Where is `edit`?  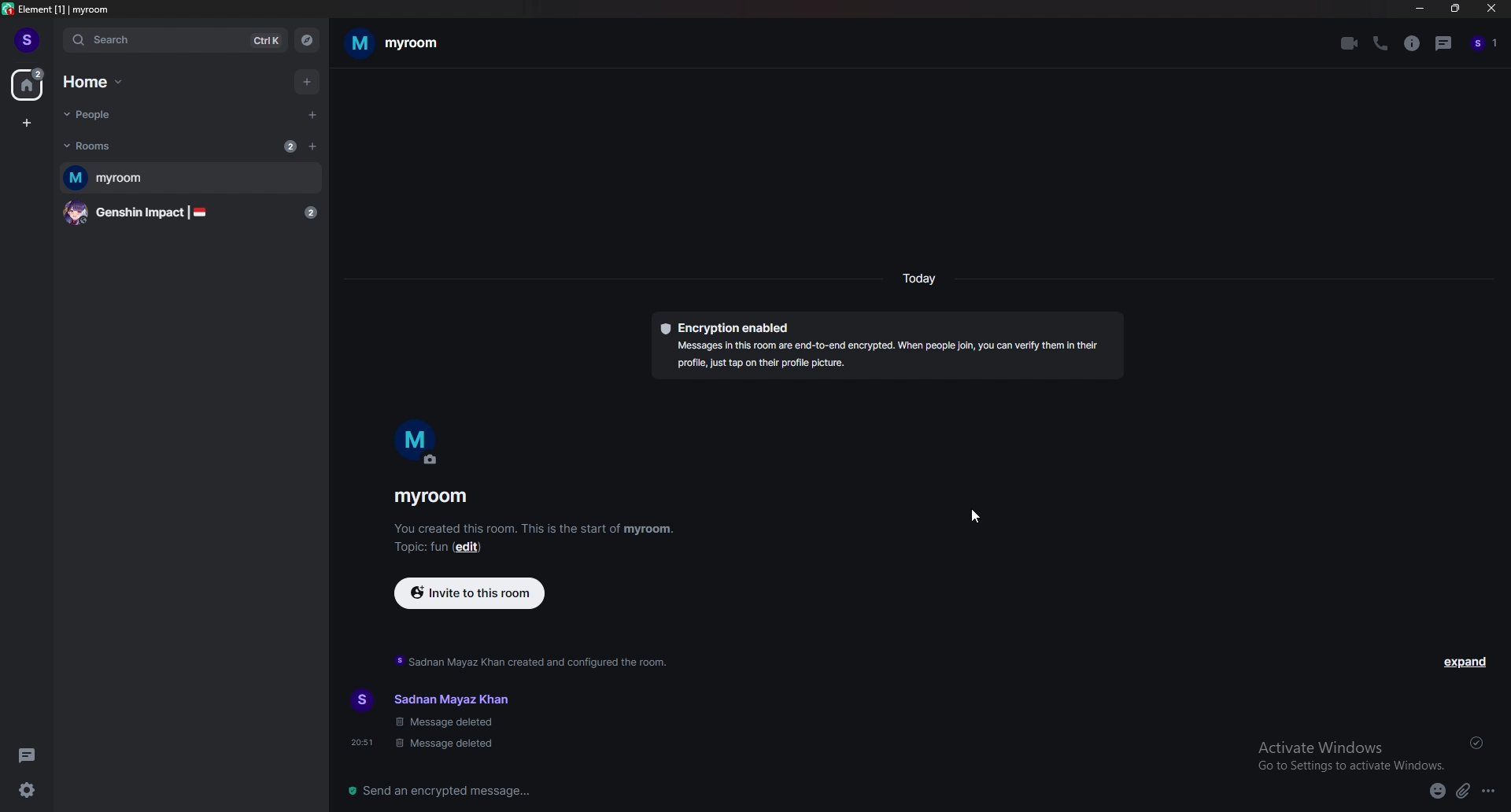 edit is located at coordinates (473, 550).